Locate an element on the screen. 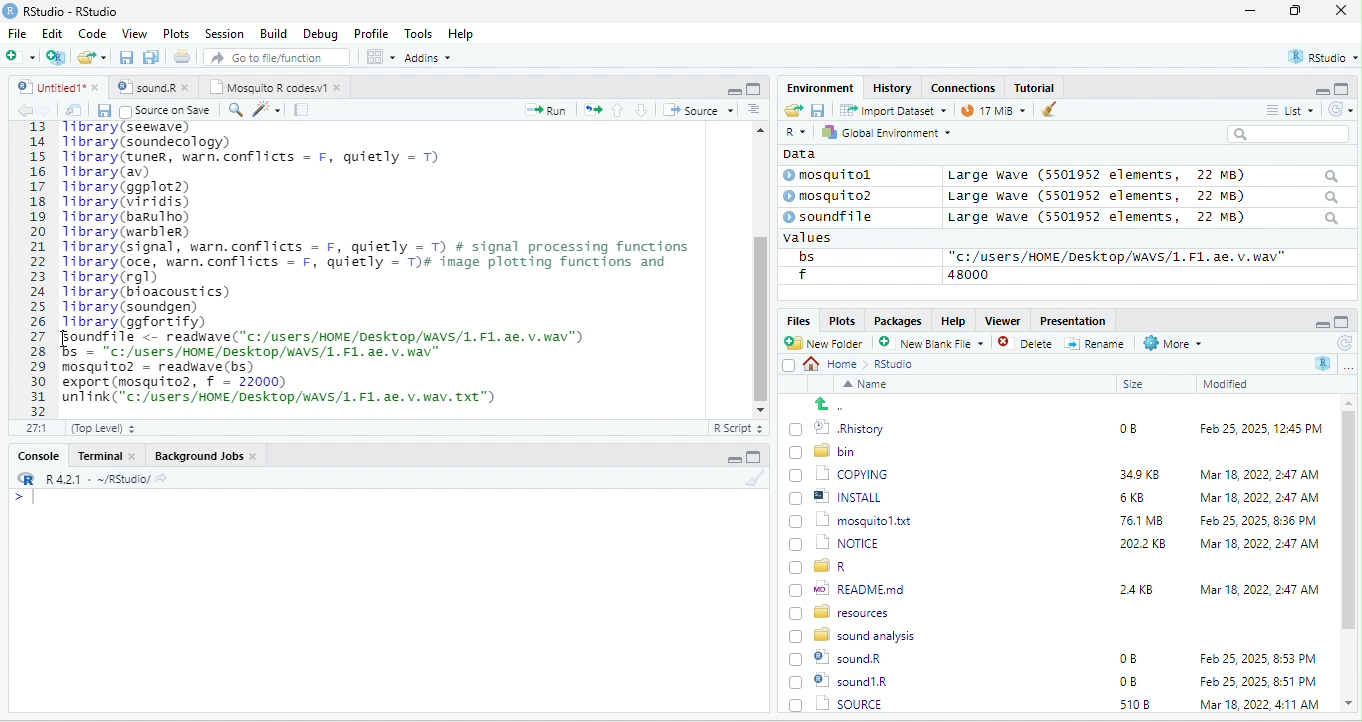 This screenshot has height=722, width=1362. sharpen is located at coordinates (267, 109).